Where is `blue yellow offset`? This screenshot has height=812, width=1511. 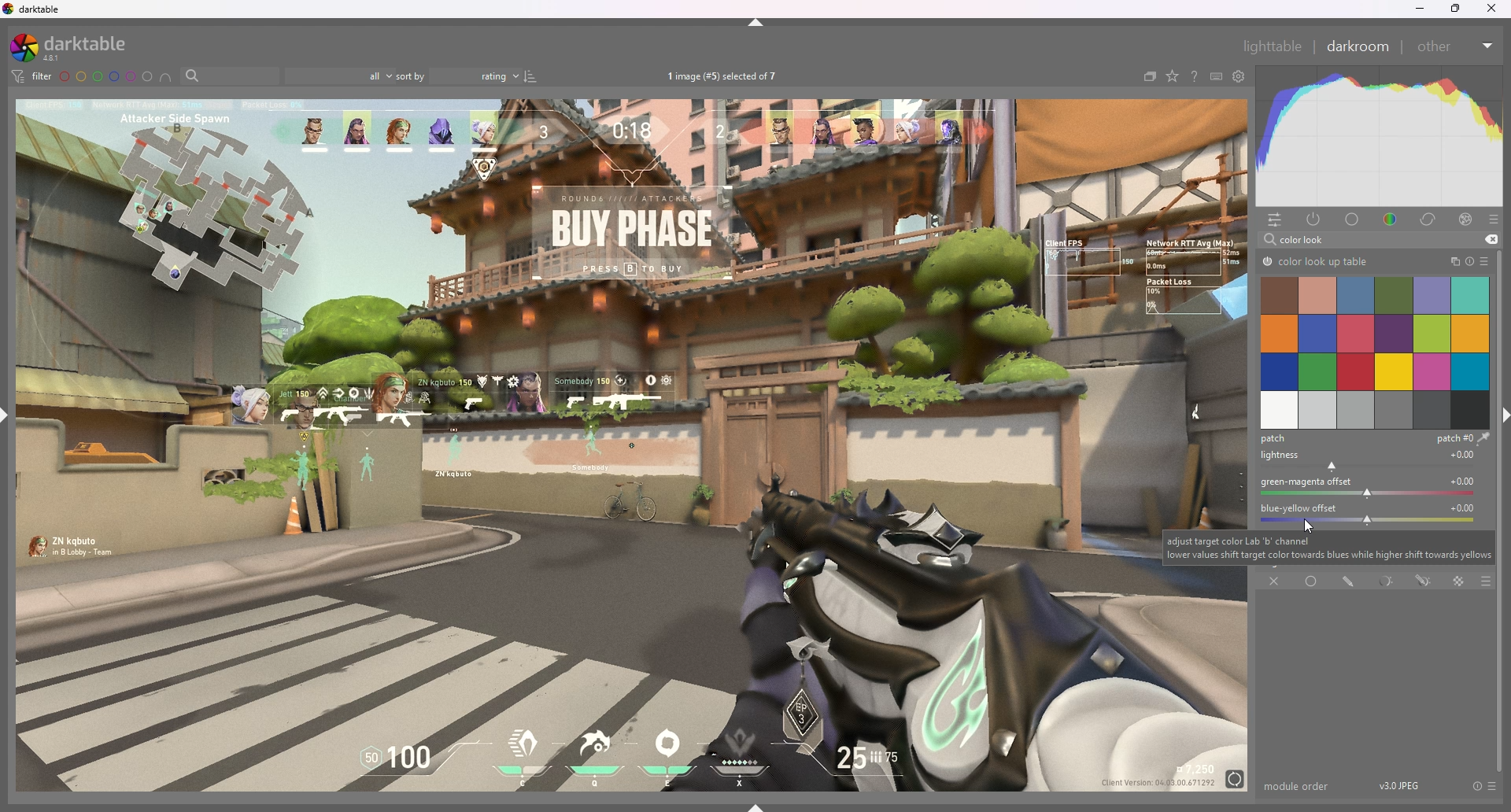
blue yellow offset is located at coordinates (1373, 513).